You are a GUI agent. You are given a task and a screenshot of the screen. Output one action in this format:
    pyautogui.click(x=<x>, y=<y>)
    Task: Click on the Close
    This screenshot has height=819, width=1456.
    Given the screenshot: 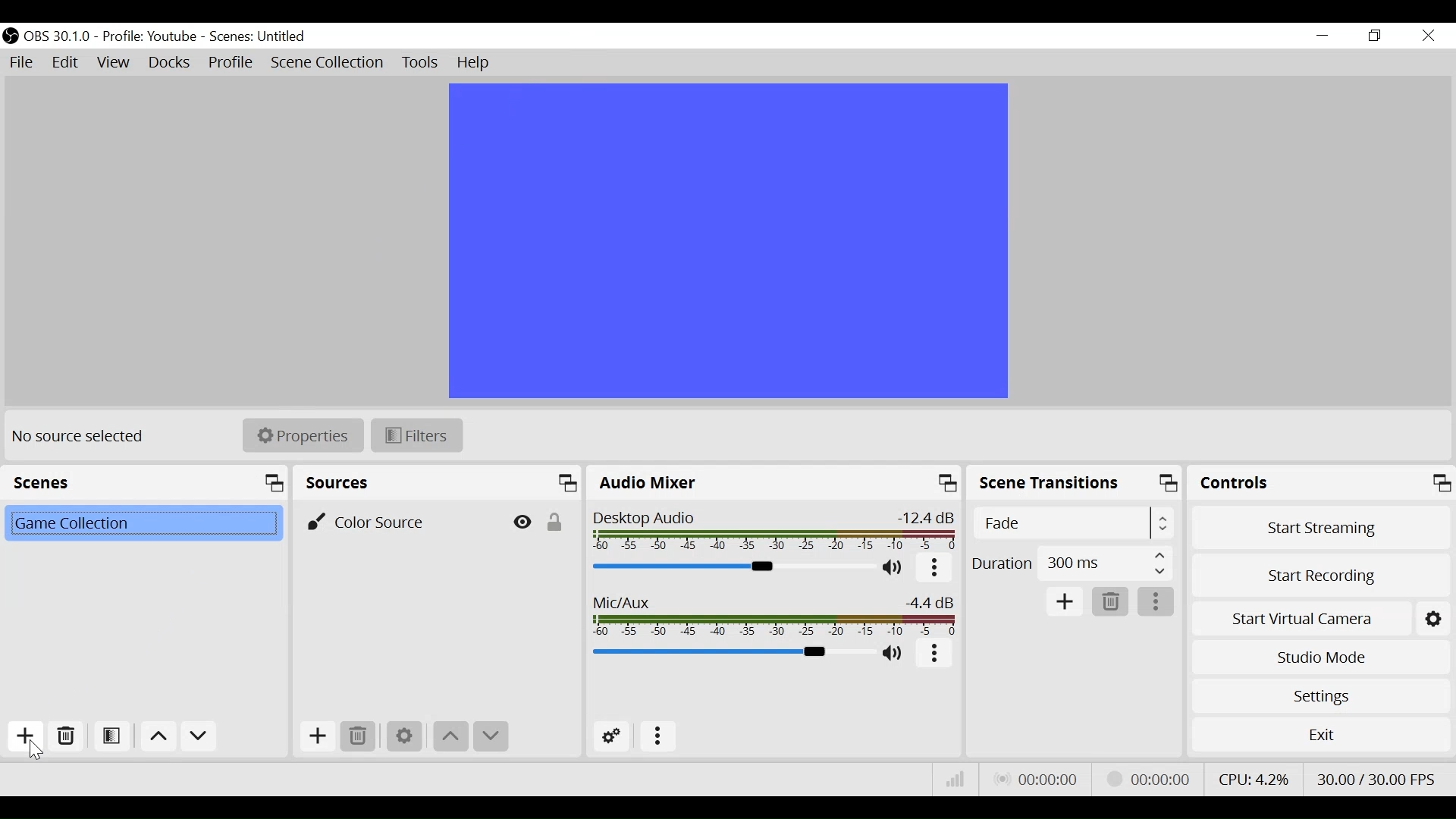 What is the action you would take?
    pyautogui.click(x=1427, y=36)
    